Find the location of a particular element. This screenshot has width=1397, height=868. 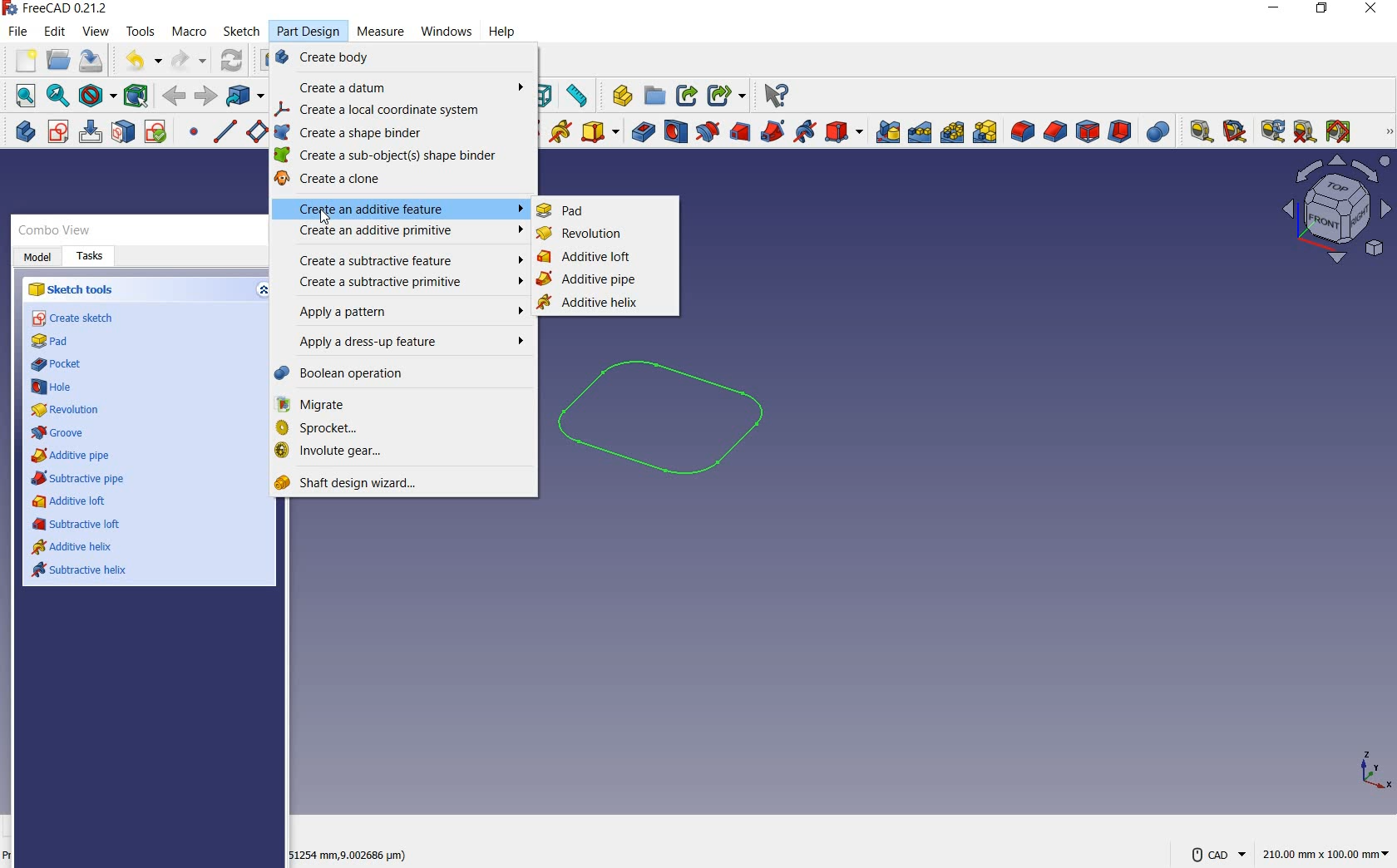

refresh is located at coordinates (1273, 131).